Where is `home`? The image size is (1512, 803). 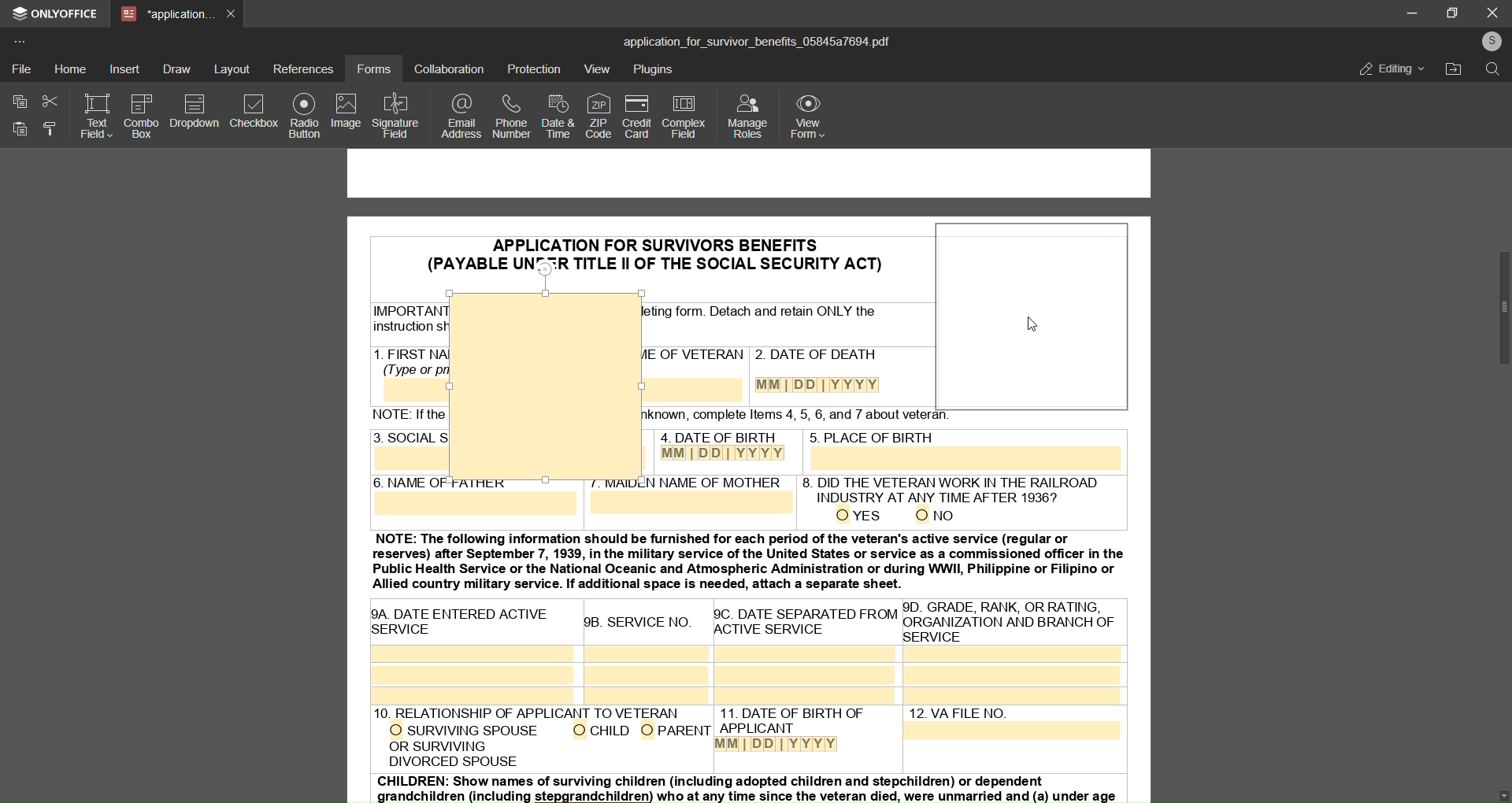
home is located at coordinates (71, 68).